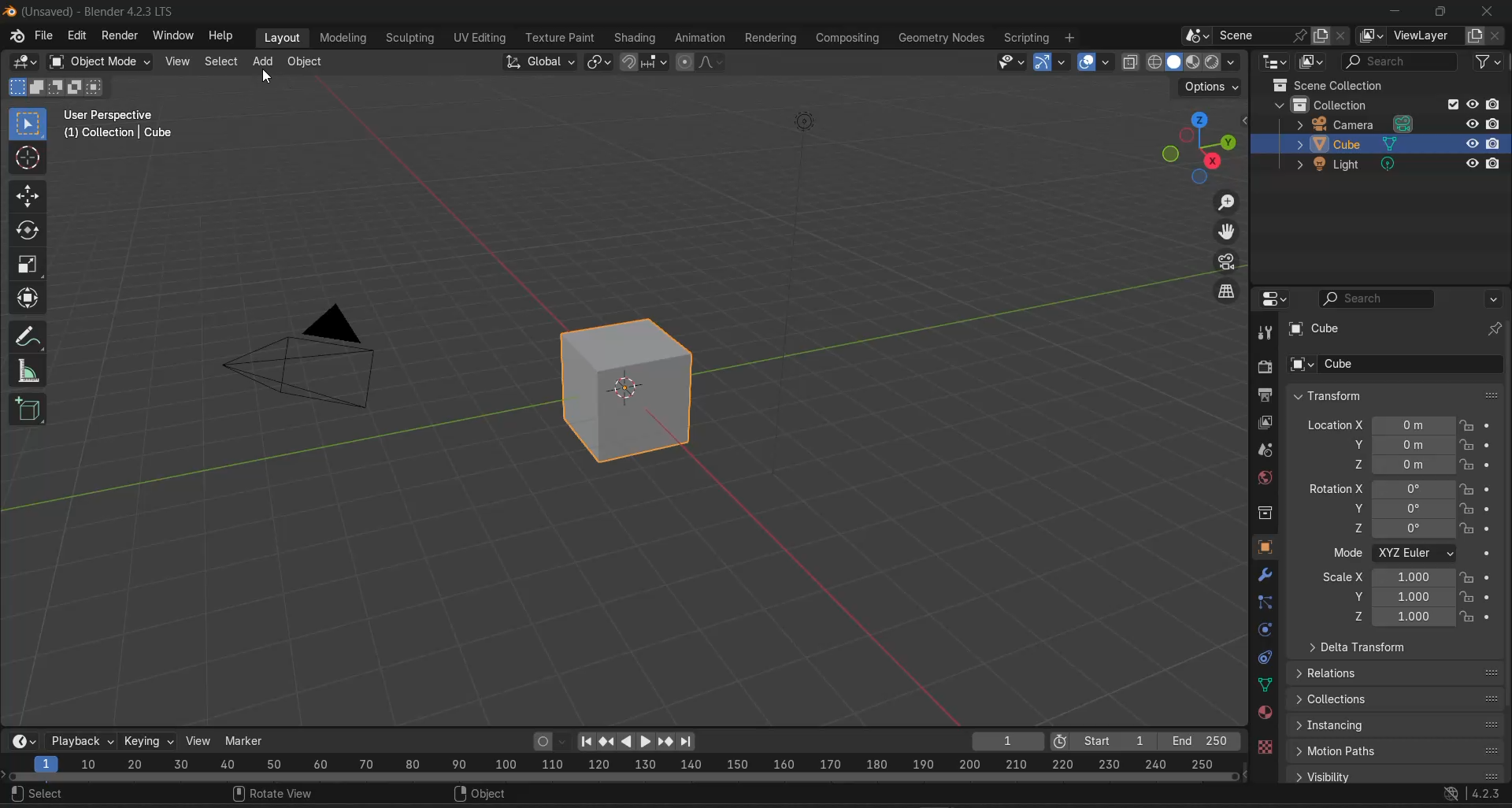 The height and width of the screenshot is (808, 1512). Describe the element at coordinates (1403, 508) in the screenshot. I see `rotation y` at that location.